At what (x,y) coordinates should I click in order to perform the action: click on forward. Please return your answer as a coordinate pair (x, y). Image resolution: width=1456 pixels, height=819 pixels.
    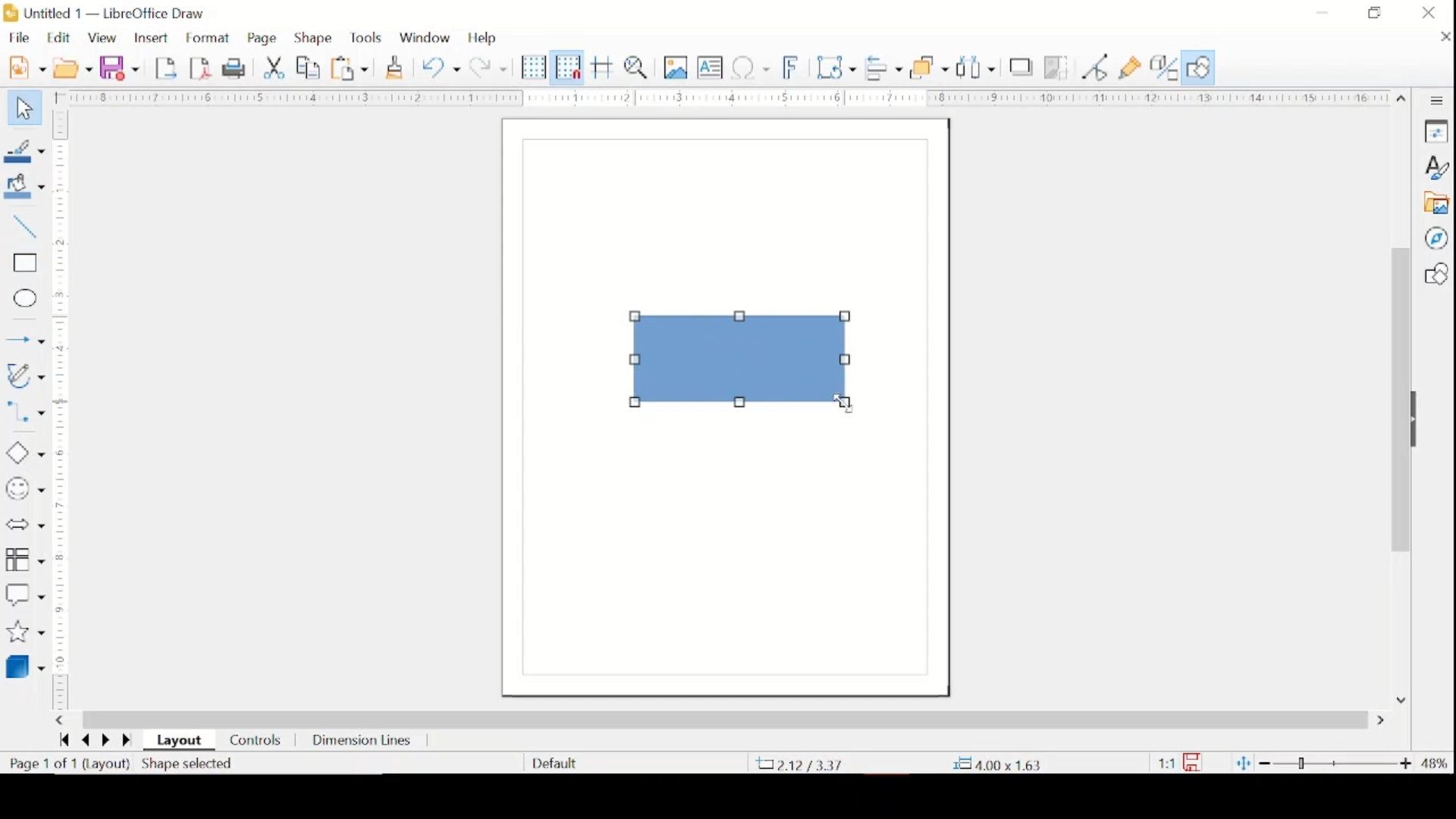
    Looking at the image, I should click on (129, 742).